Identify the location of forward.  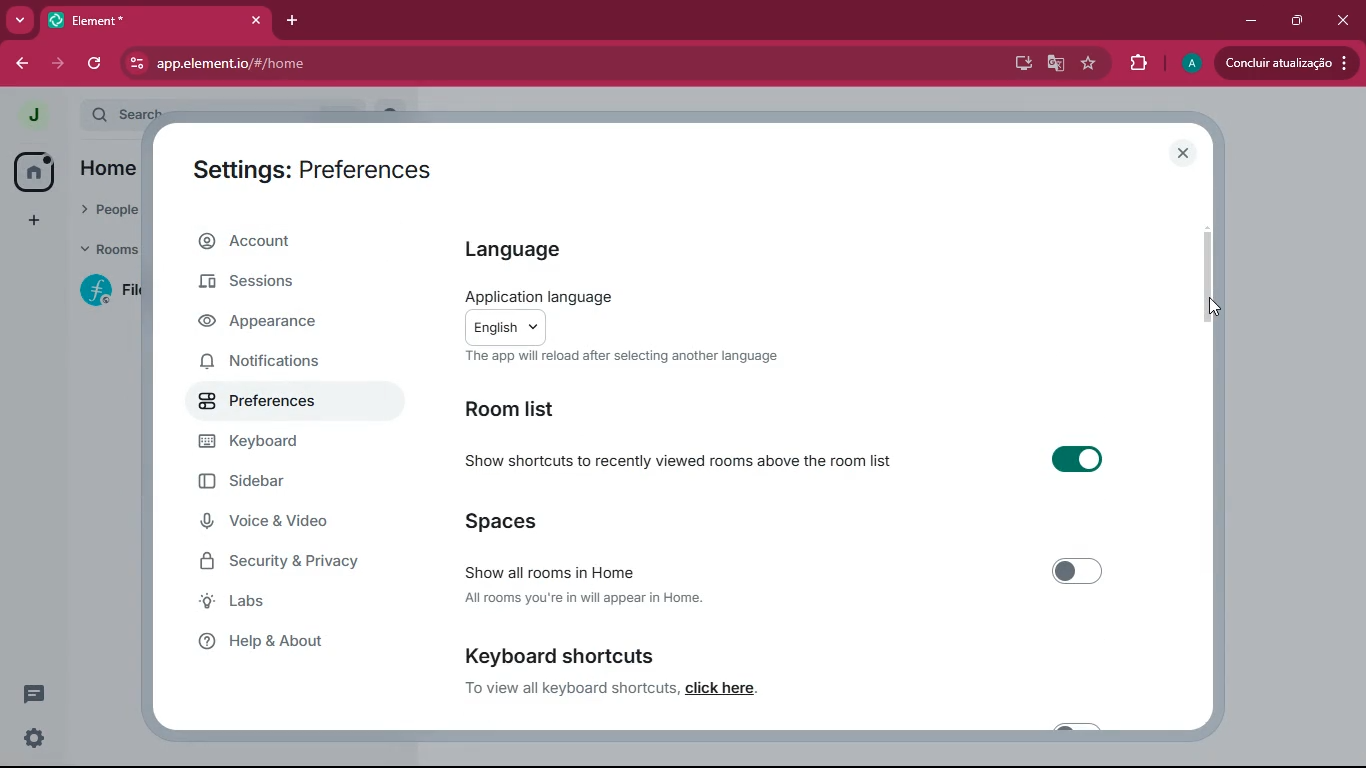
(56, 63).